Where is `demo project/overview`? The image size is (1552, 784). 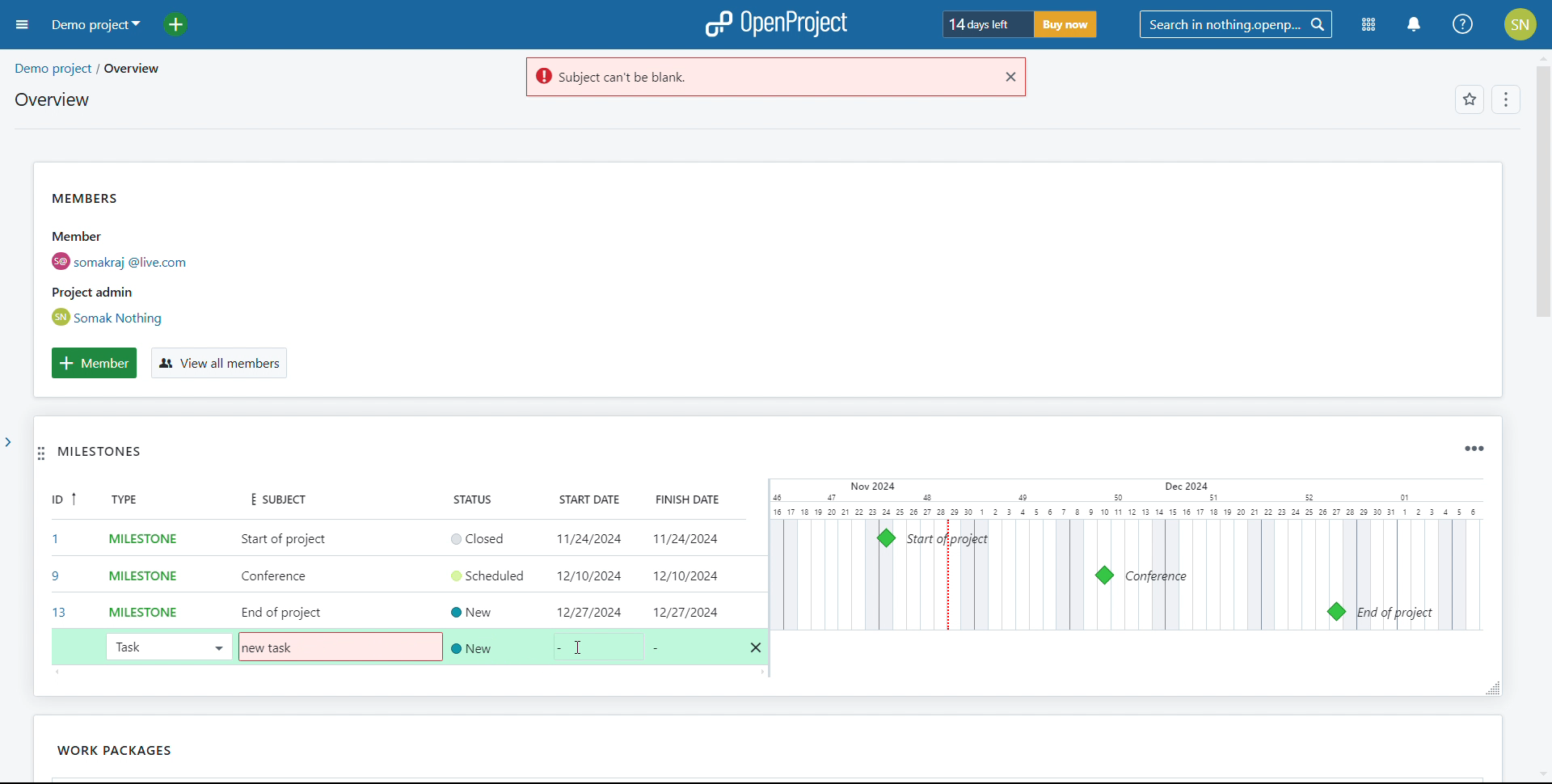 demo project/overview is located at coordinates (86, 69).